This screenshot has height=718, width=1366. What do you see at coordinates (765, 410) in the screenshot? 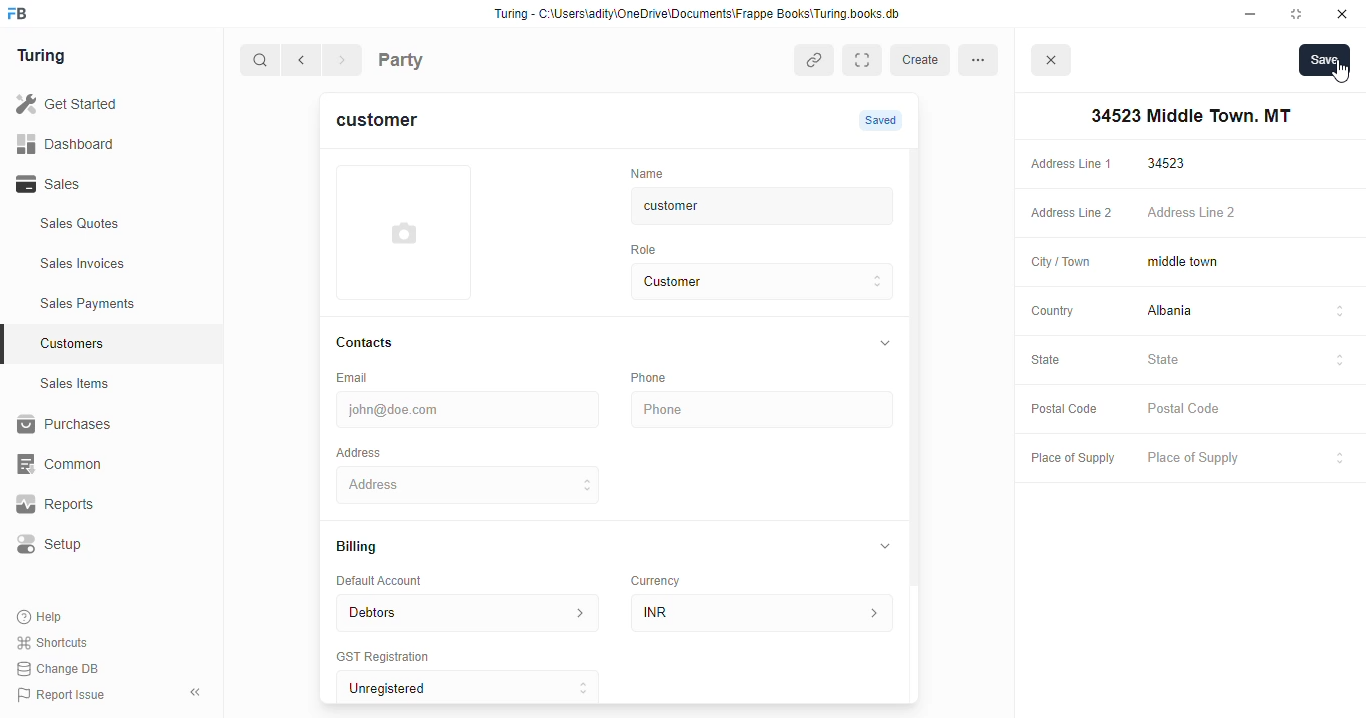
I see `Phone` at bounding box center [765, 410].